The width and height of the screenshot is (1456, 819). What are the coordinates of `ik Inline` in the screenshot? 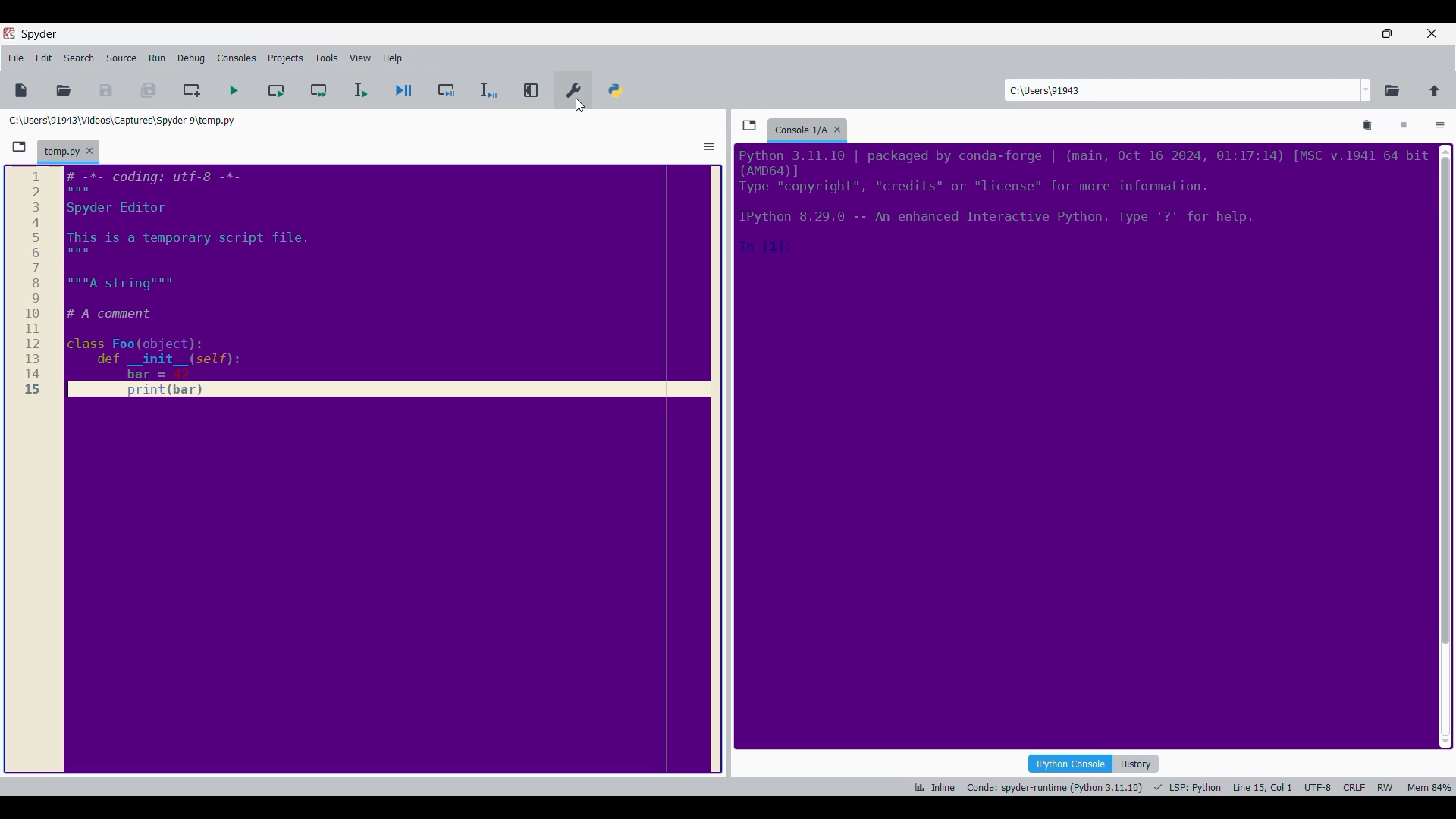 It's located at (930, 786).